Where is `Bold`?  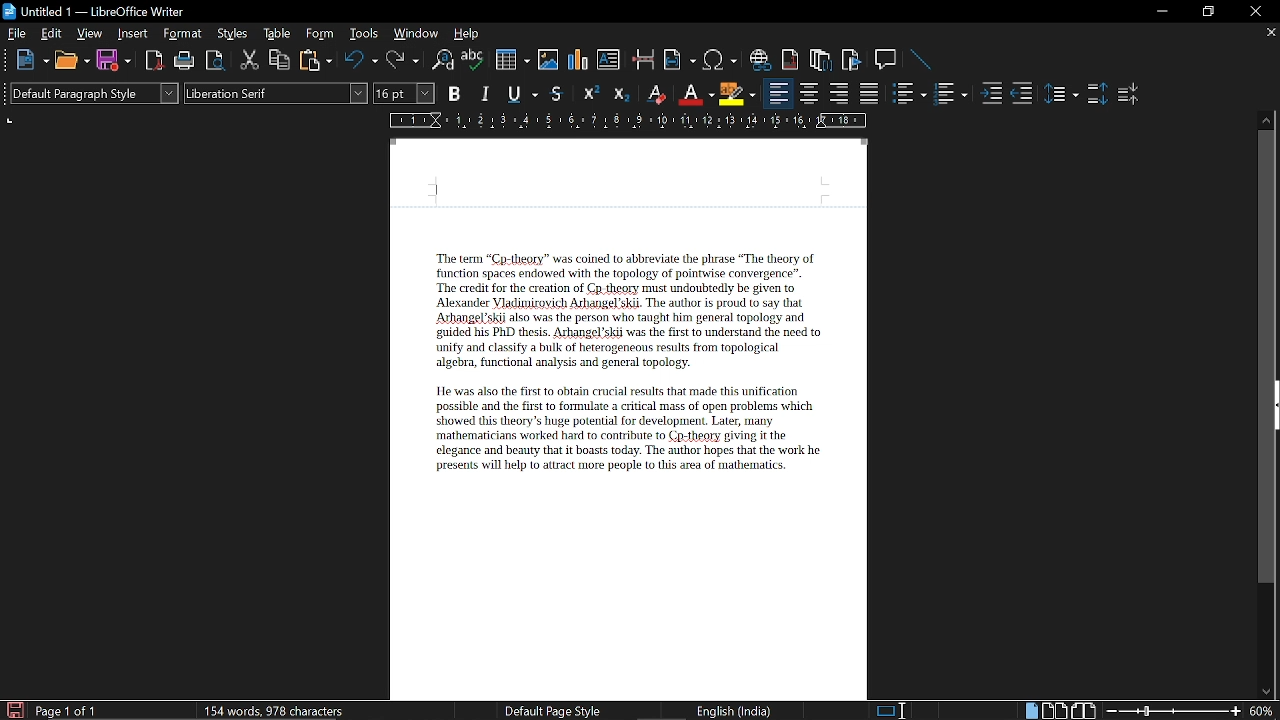
Bold is located at coordinates (455, 94).